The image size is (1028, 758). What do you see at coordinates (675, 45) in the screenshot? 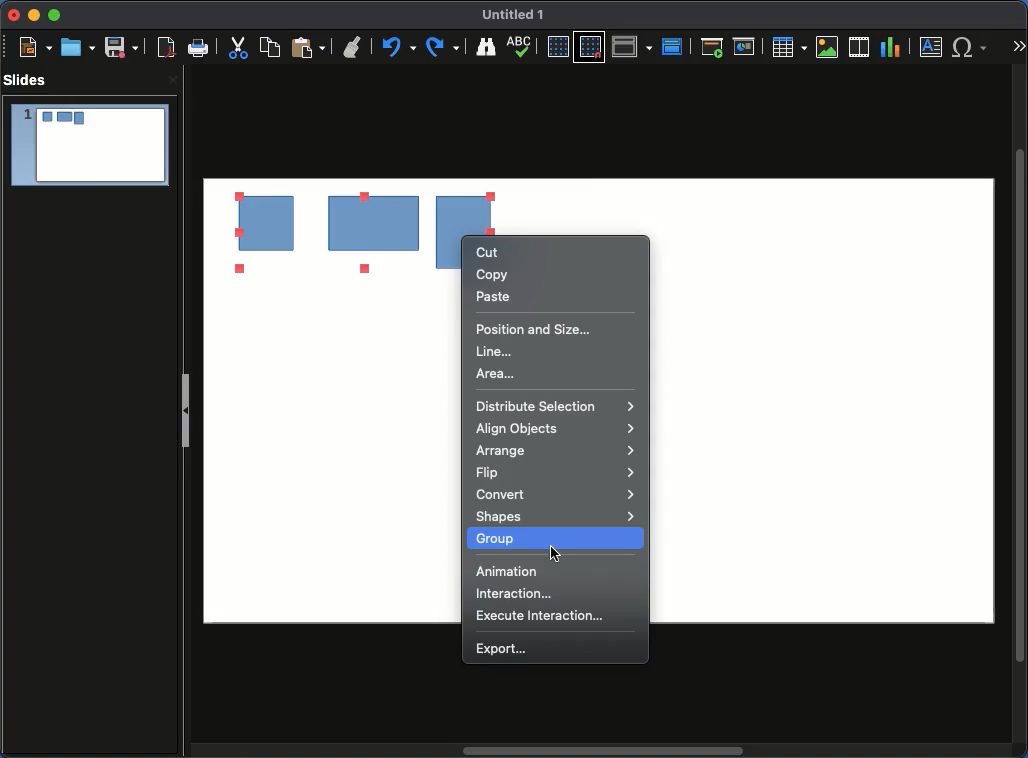
I see `Master slide` at bounding box center [675, 45].